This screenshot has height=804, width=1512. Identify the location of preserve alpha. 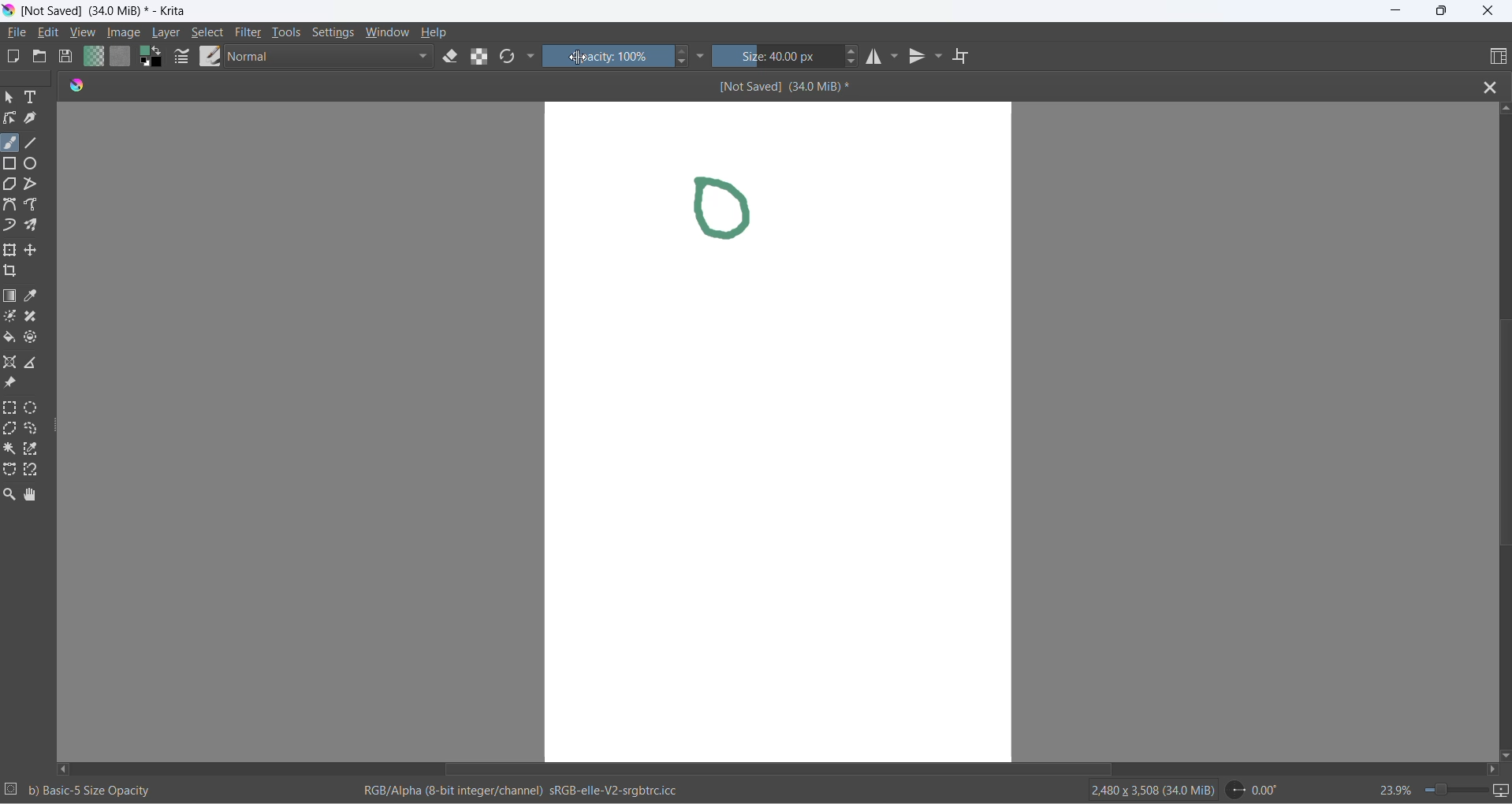
(479, 56).